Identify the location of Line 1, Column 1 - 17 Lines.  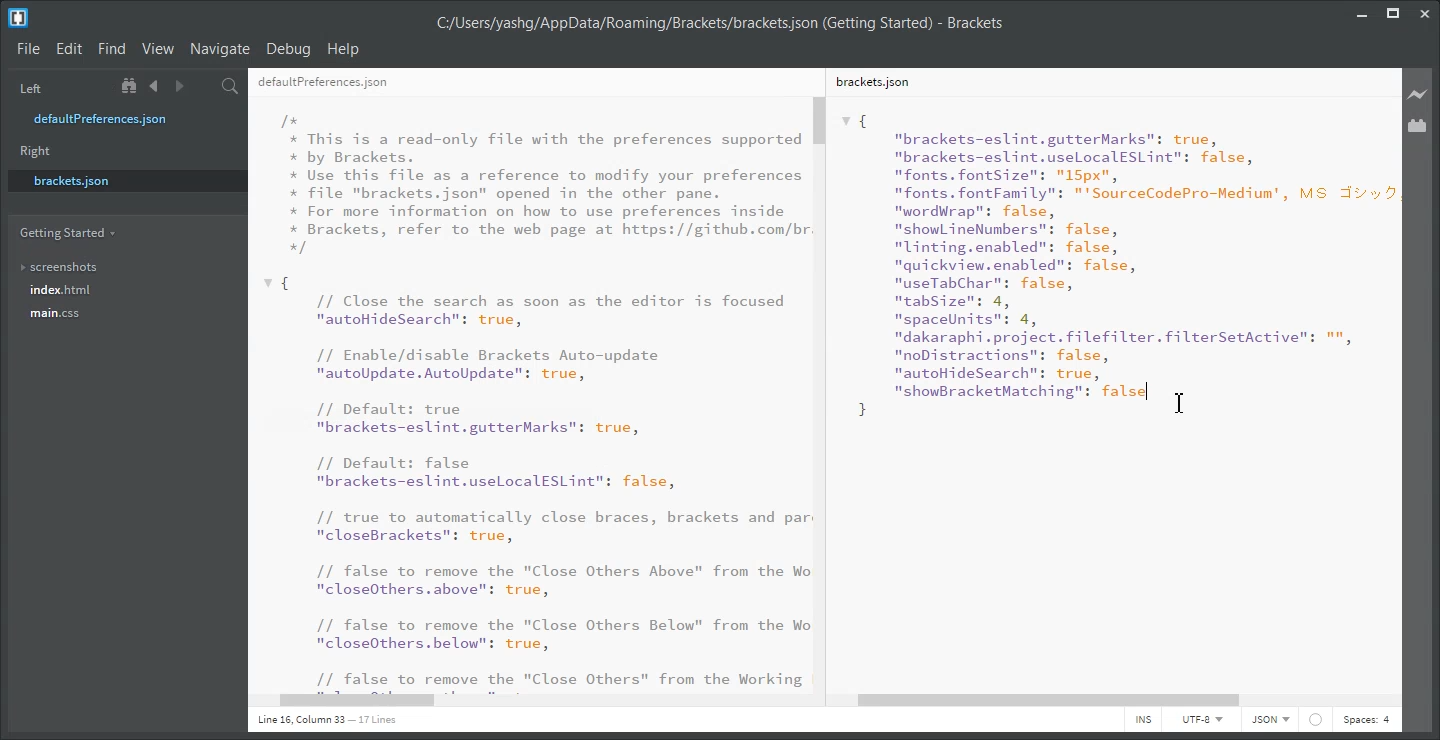
(324, 721).